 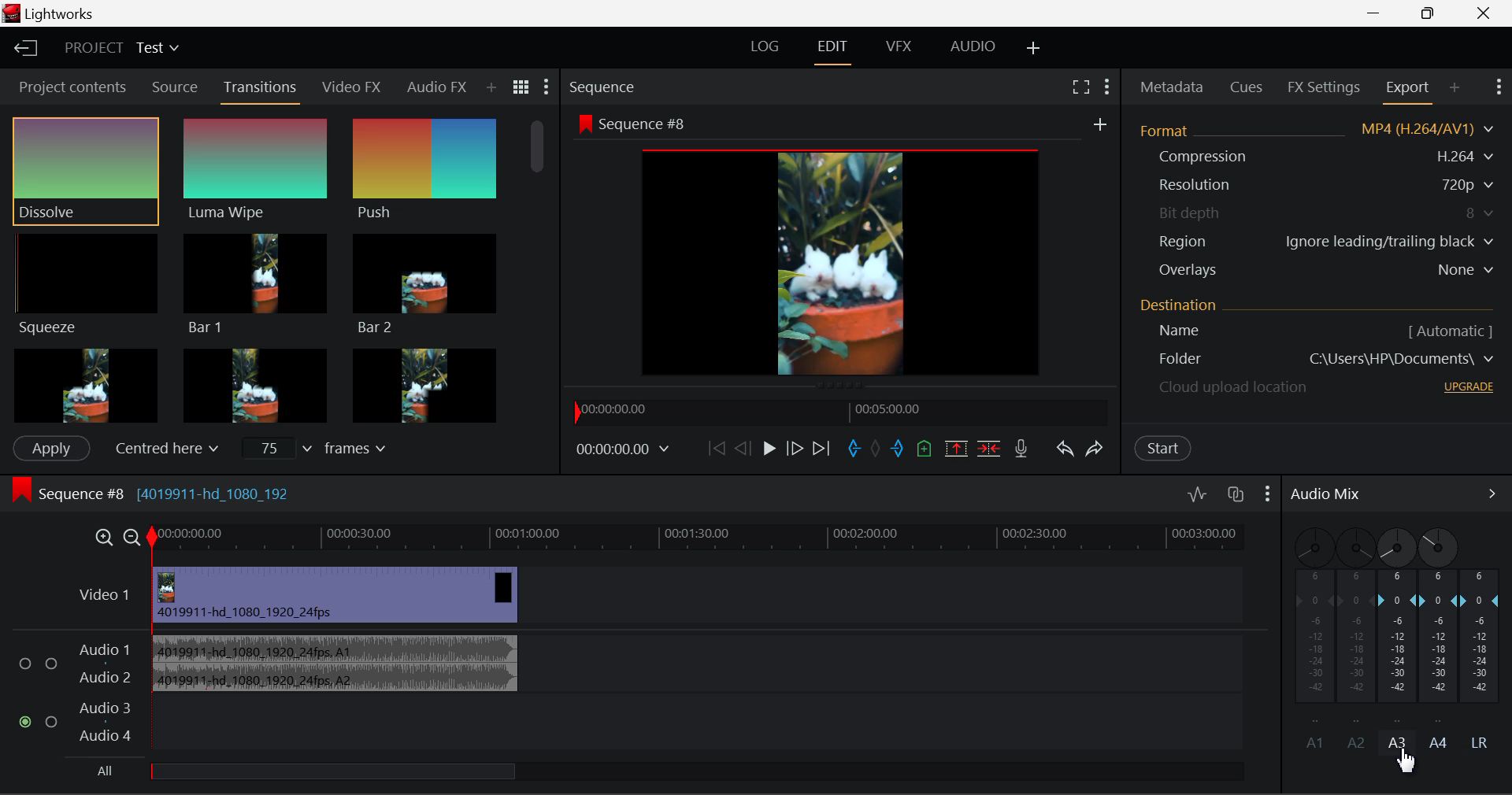 I want to click on All, so click(x=311, y=775).